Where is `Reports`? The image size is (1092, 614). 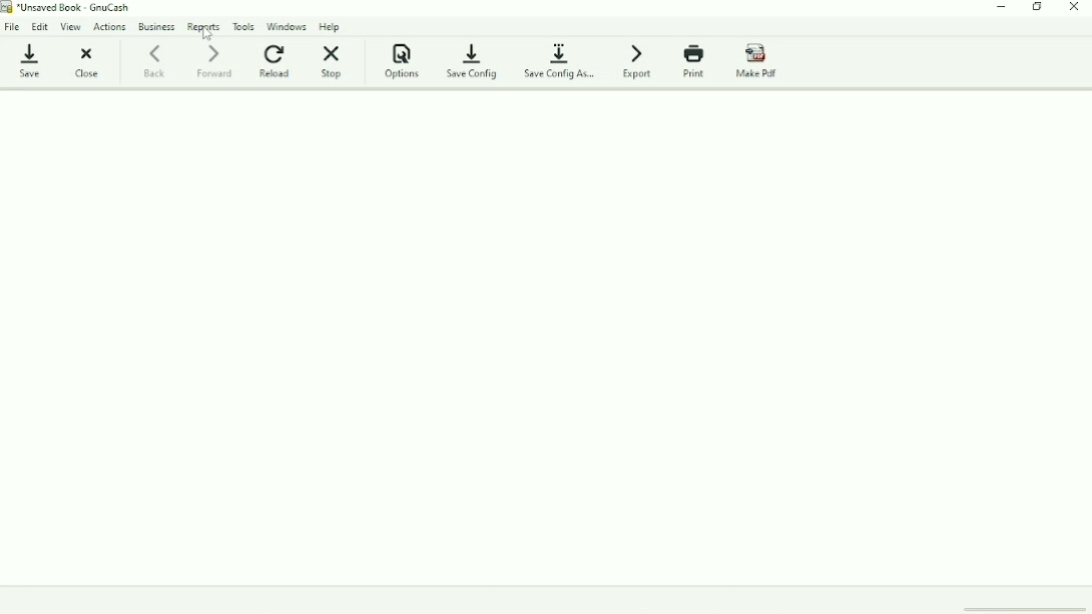 Reports is located at coordinates (205, 27).